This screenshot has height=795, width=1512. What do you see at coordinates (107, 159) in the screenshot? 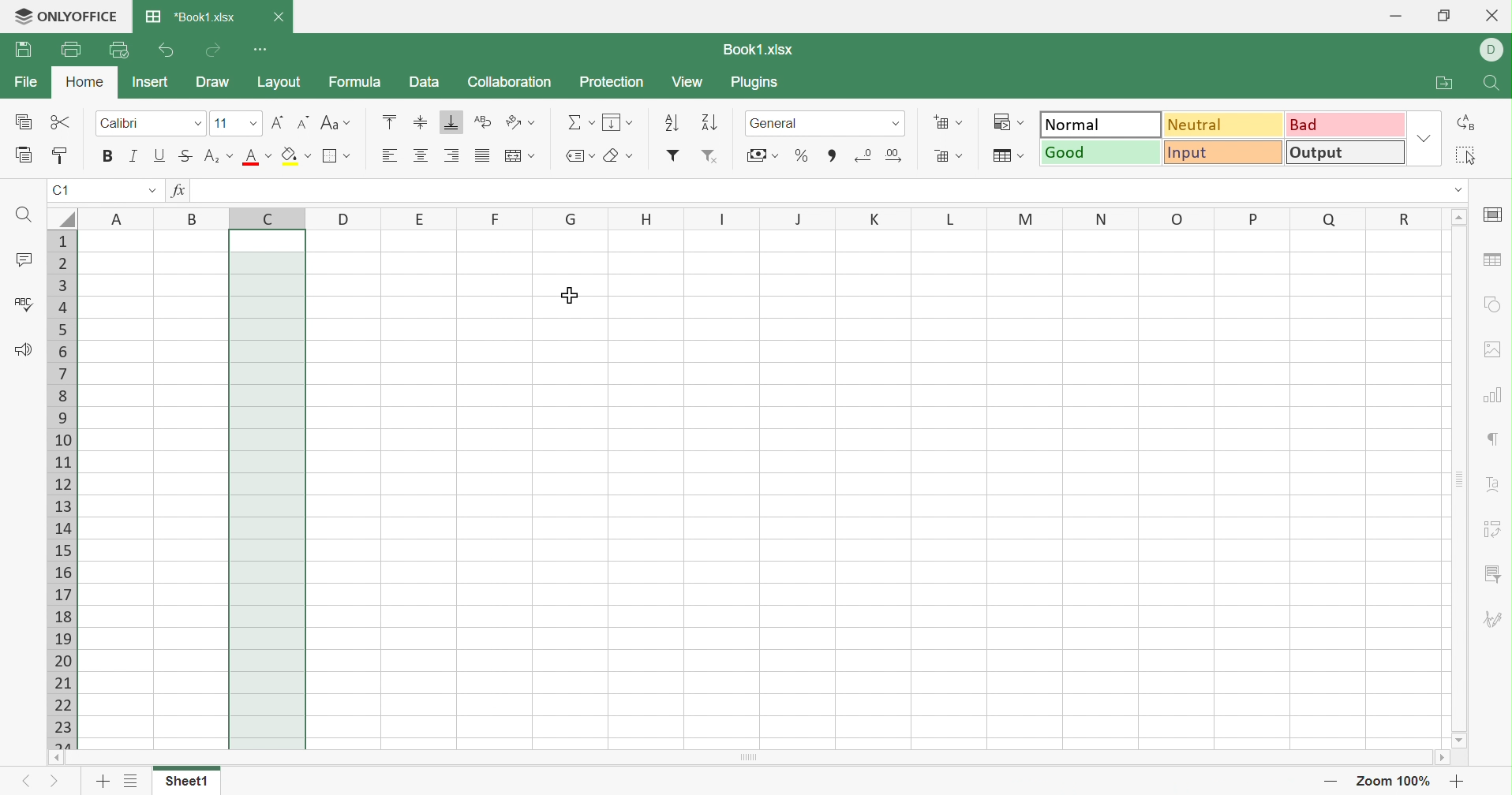
I see `Bold` at bounding box center [107, 159].